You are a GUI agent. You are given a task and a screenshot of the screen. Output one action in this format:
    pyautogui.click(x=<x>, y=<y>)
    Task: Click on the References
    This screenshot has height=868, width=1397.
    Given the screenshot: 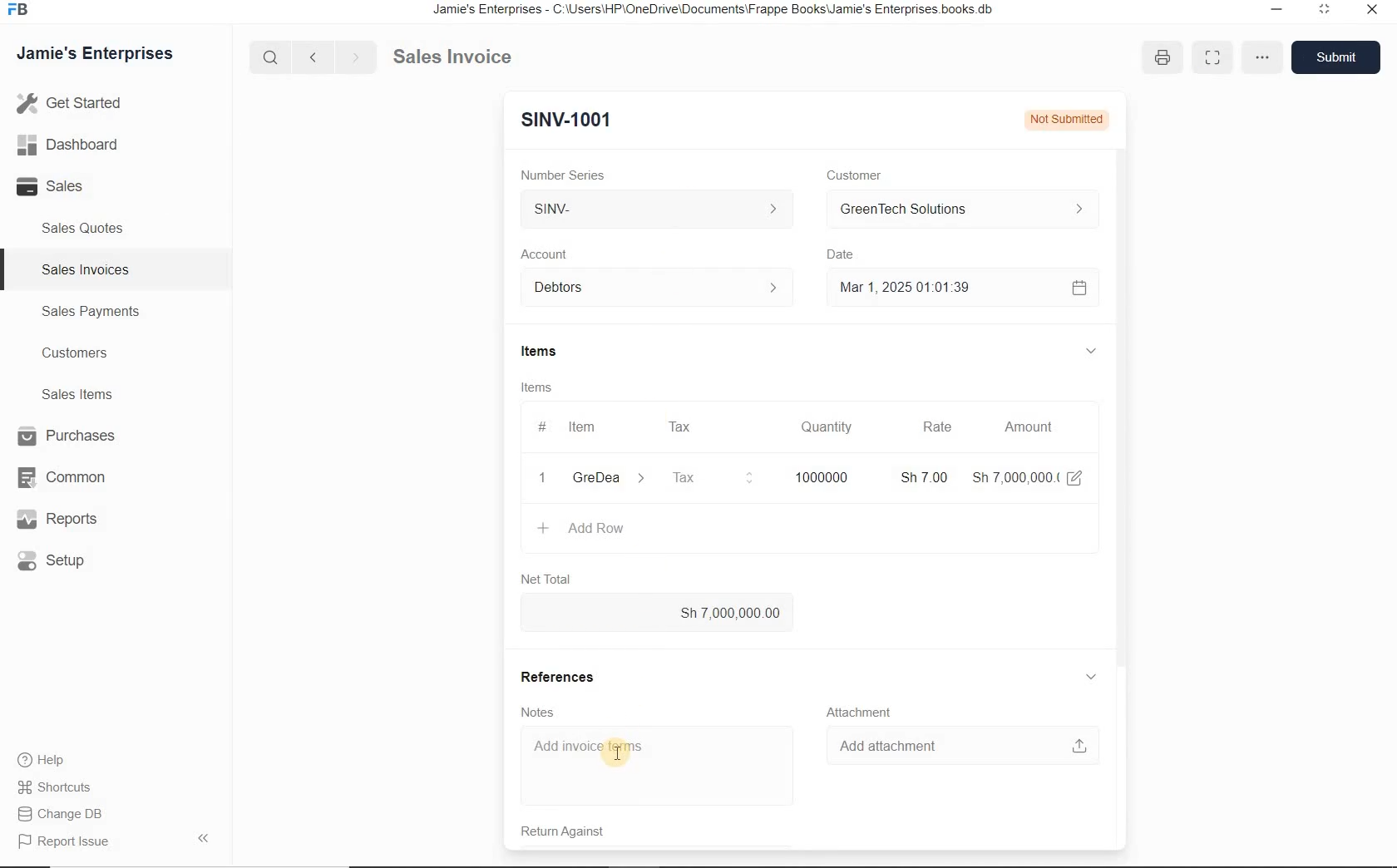 What is the action you would take?
    pyautogui.click(x=562, y=674)
    